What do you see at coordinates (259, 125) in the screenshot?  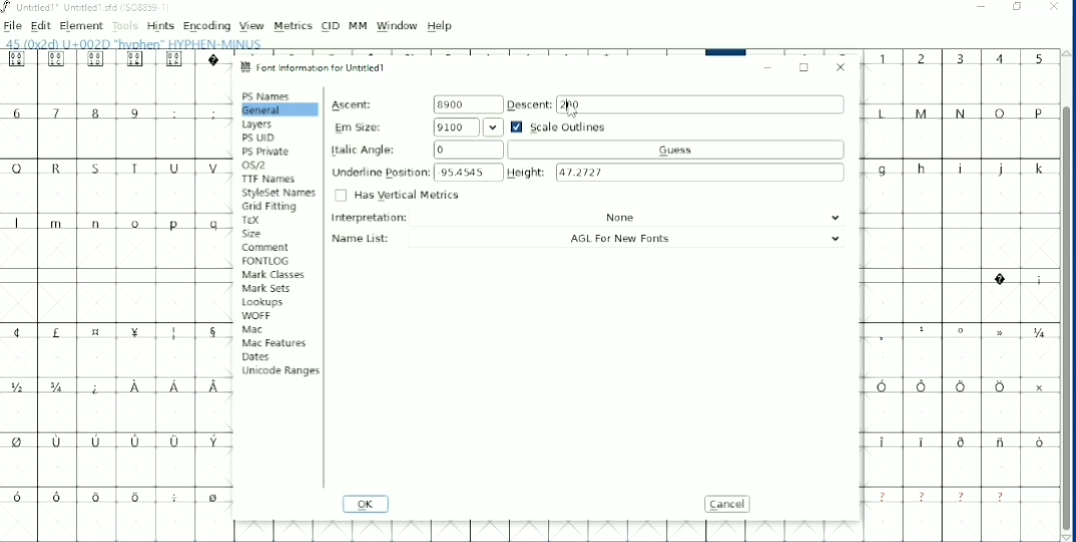 I see `Layers` at bounding box center [259, 125].